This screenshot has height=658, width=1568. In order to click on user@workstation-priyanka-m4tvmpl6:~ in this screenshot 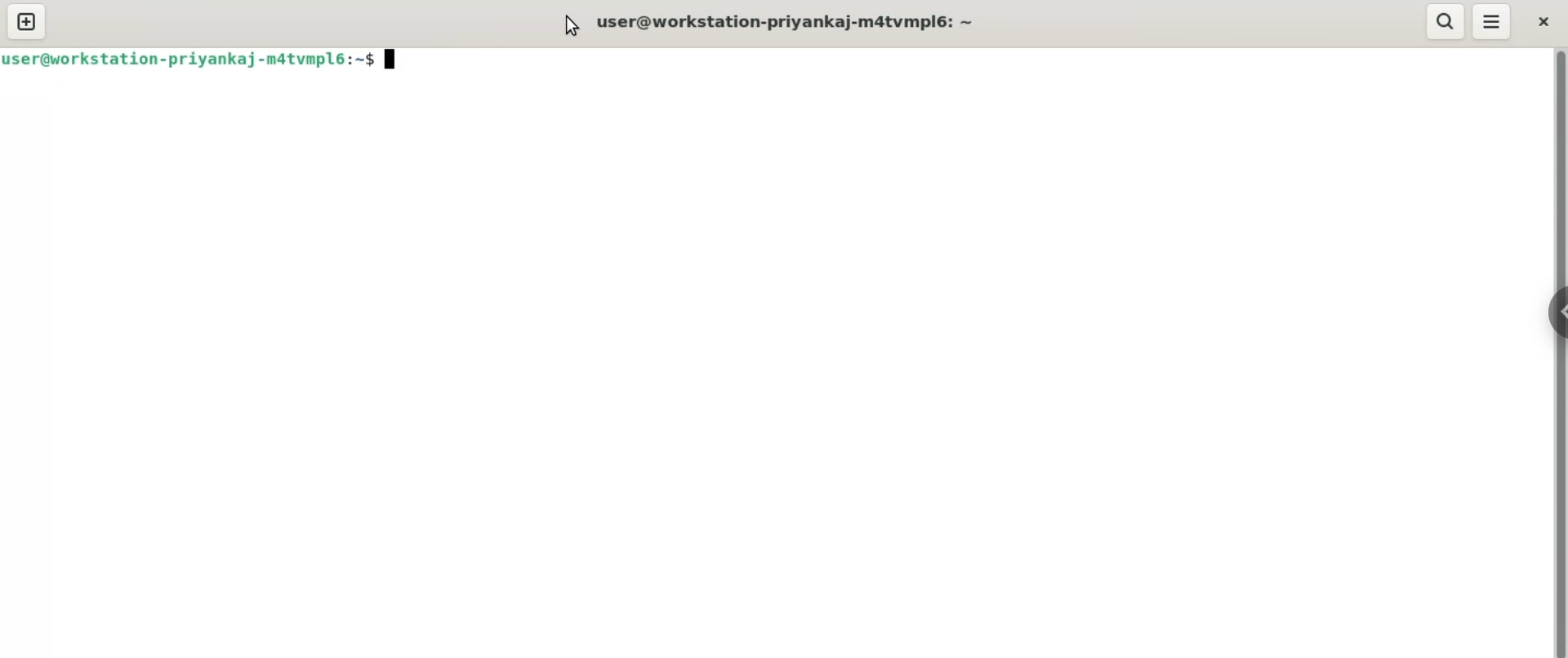, I will do `click(791, 20)`.